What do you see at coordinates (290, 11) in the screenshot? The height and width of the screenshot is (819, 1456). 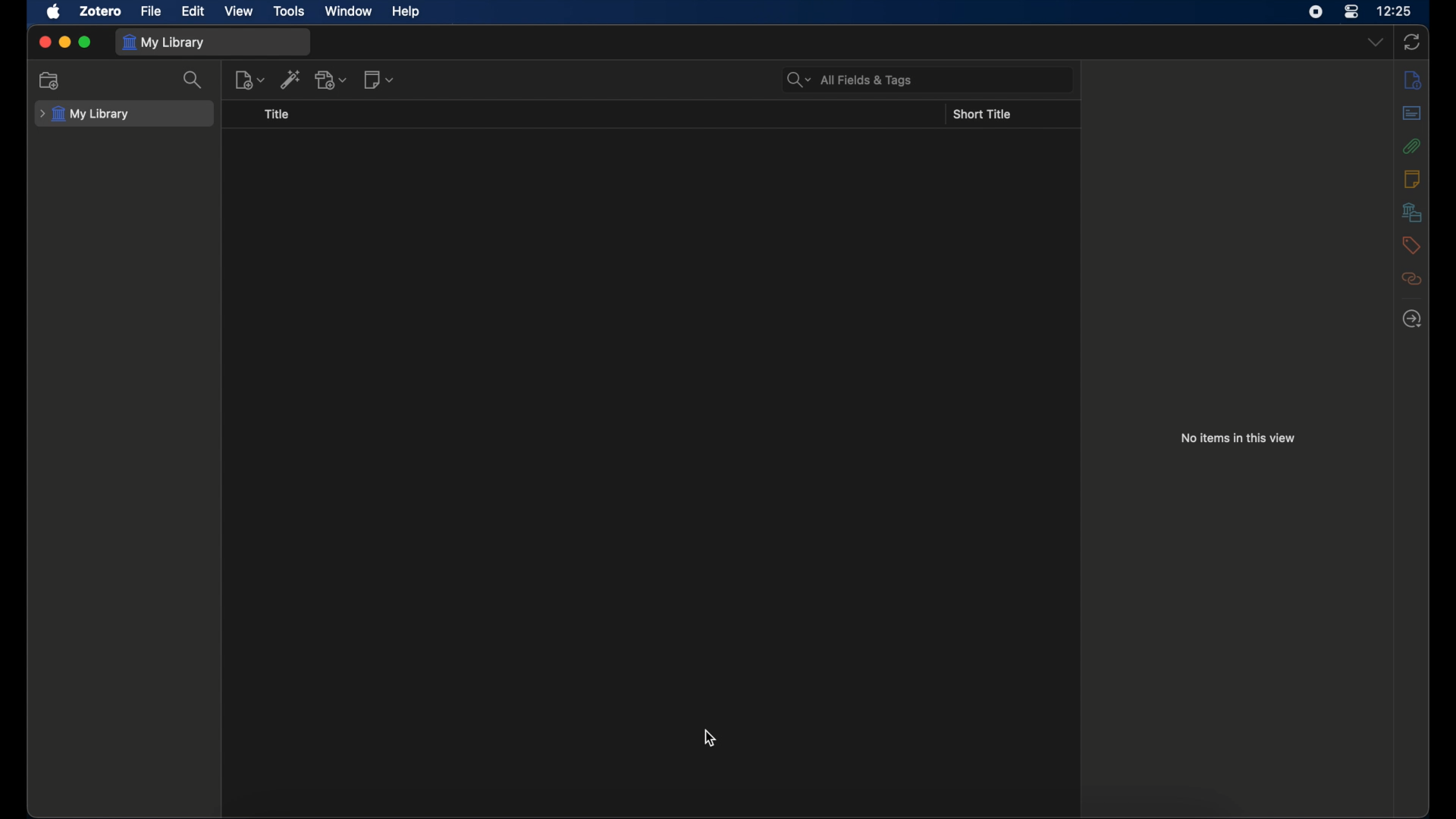 I see `tools` at bounding box center [290, 11].